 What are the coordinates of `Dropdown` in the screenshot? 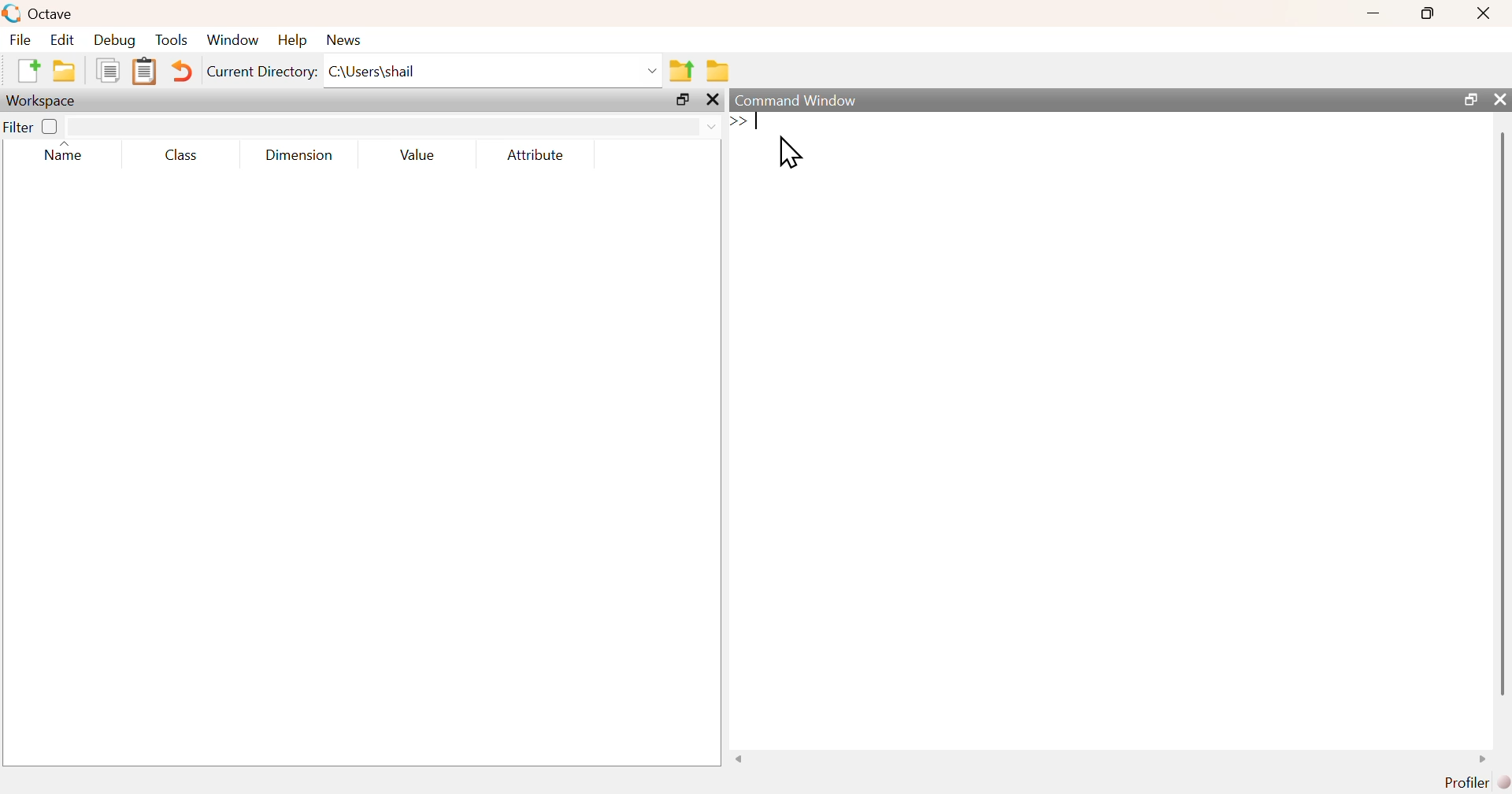 It's located at (654, 72).